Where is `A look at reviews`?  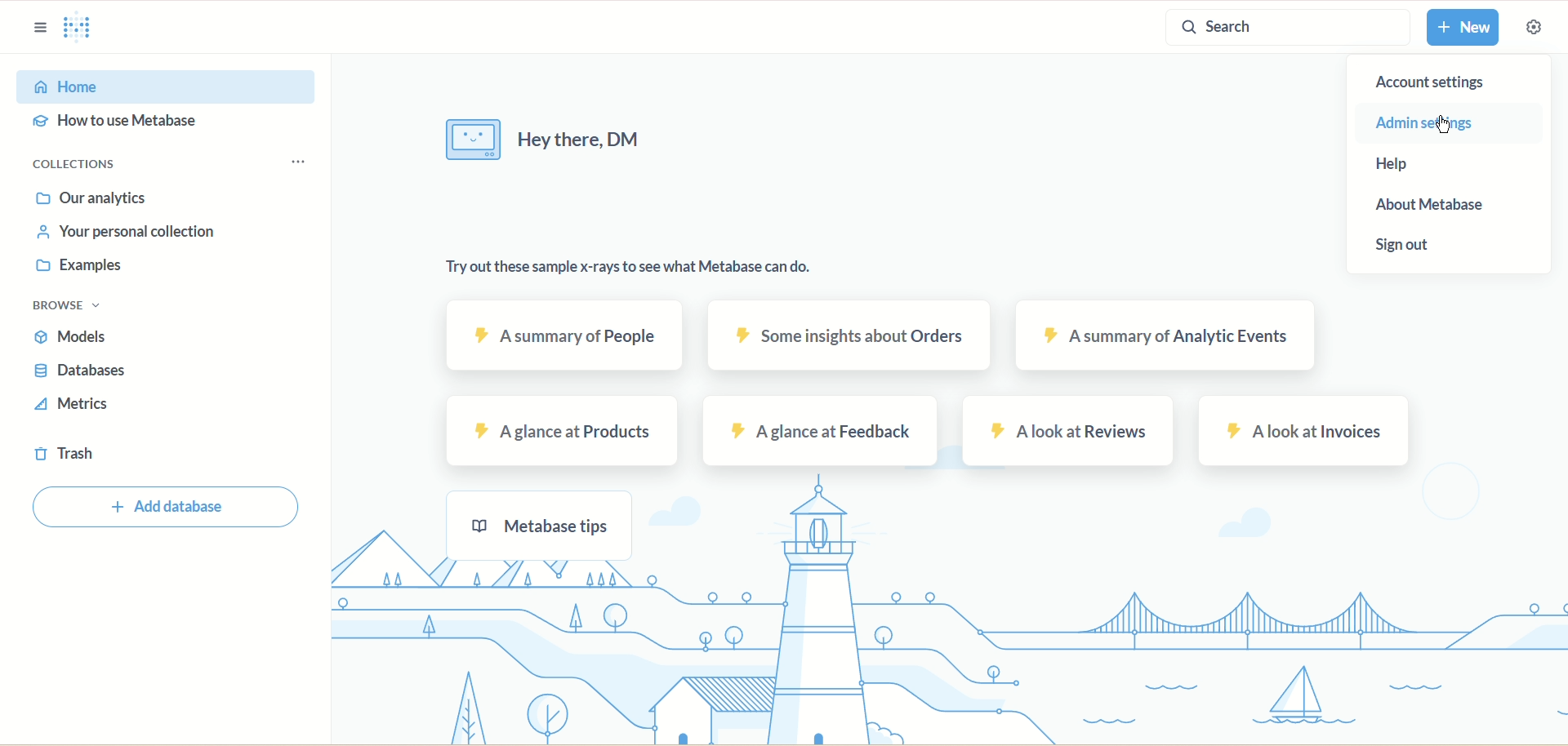 A look at reviews is located at coordinates (1071, 433).